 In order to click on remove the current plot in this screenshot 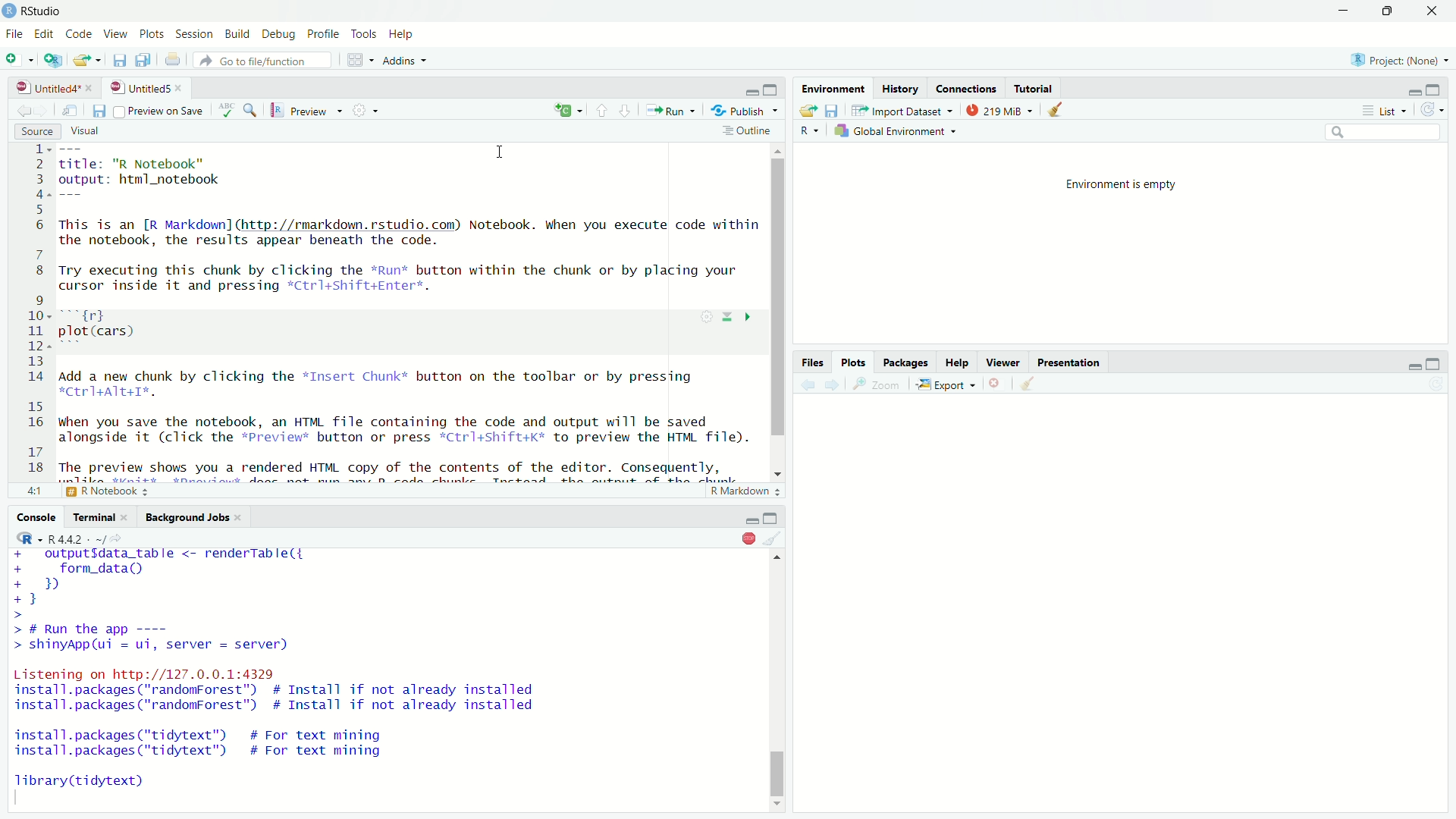, I will do `click(998, 385)`.